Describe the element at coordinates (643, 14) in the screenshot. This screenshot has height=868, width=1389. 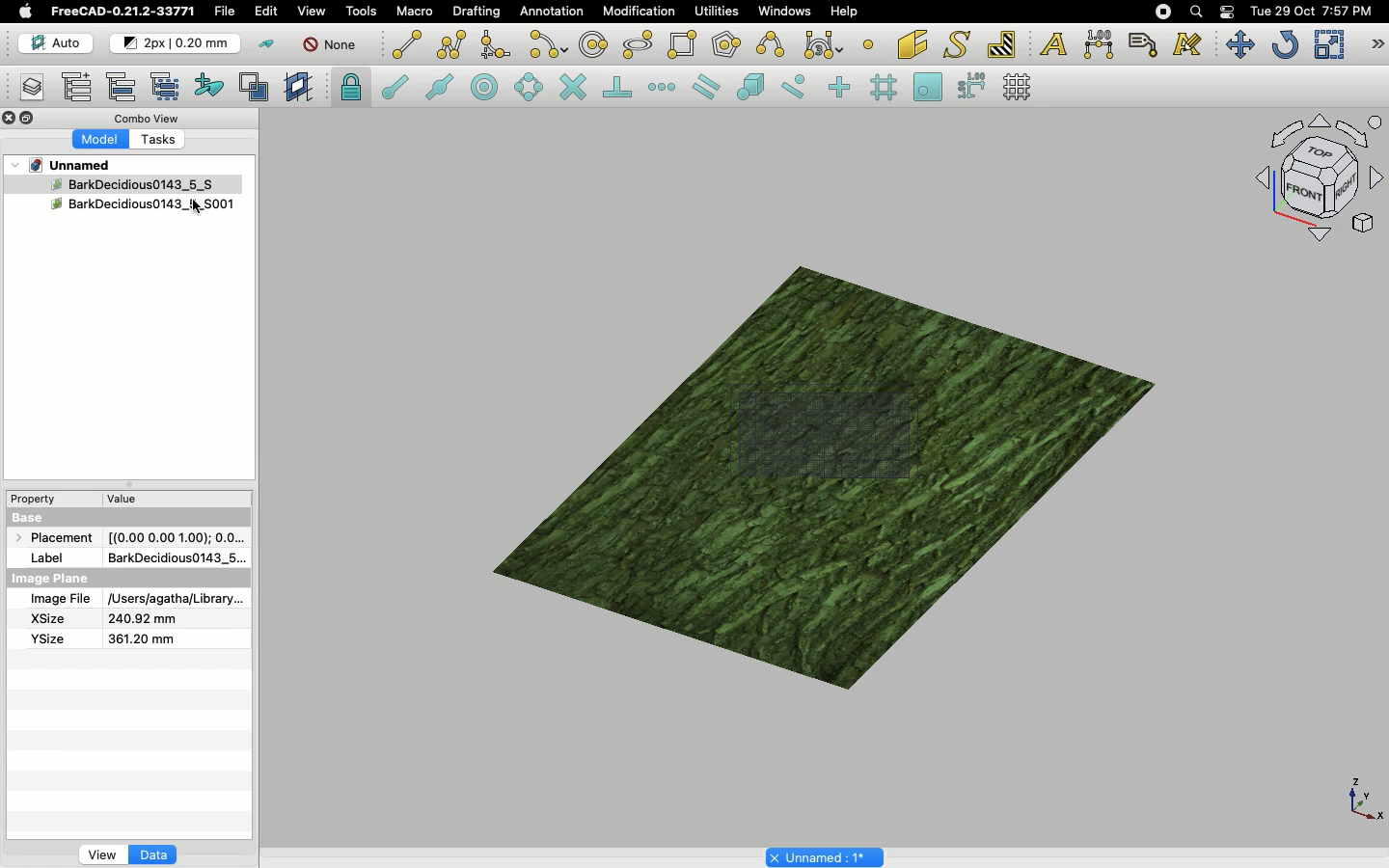
I see `Modification` at that location.